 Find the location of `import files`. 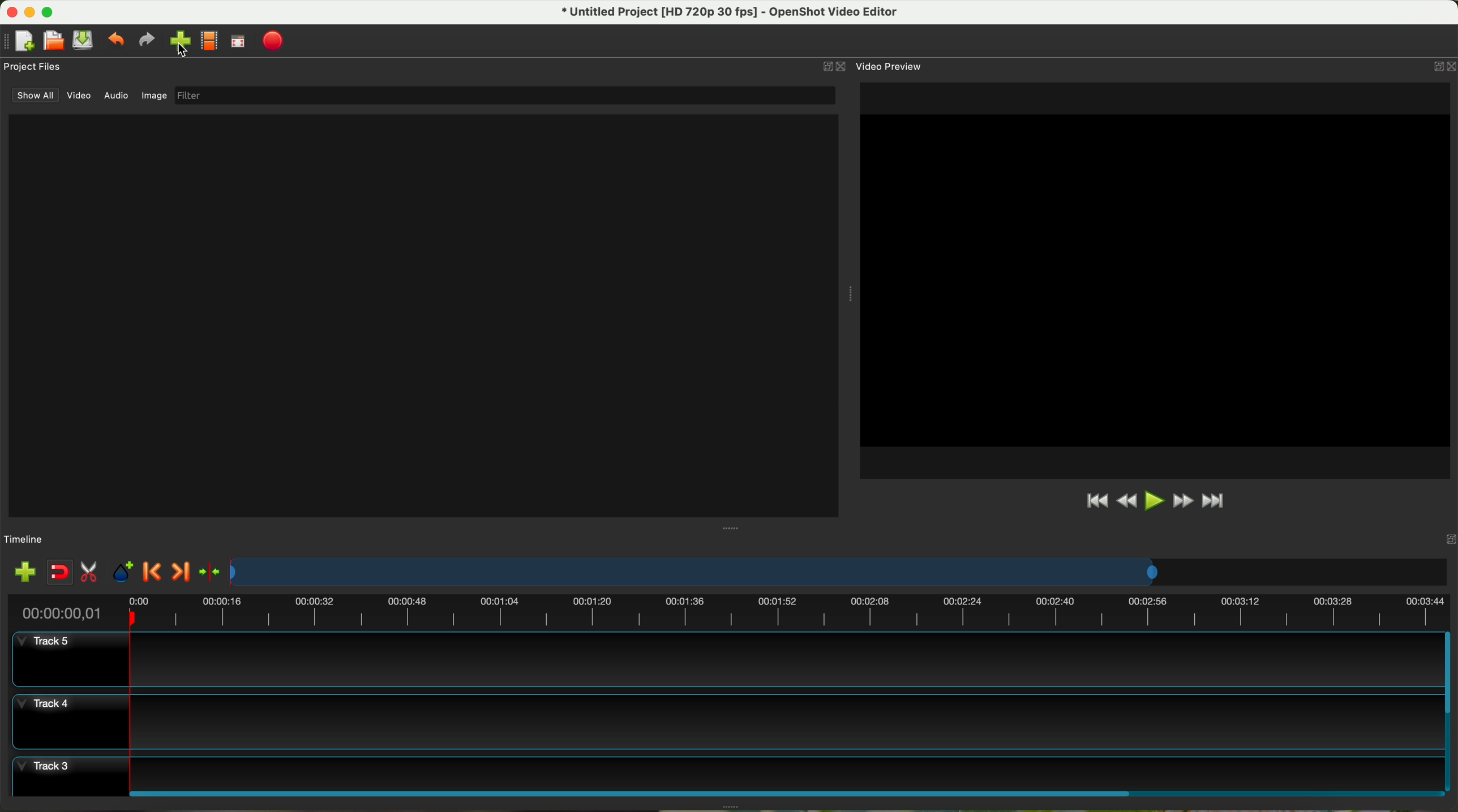

import files is located at coordinates (24, 573).